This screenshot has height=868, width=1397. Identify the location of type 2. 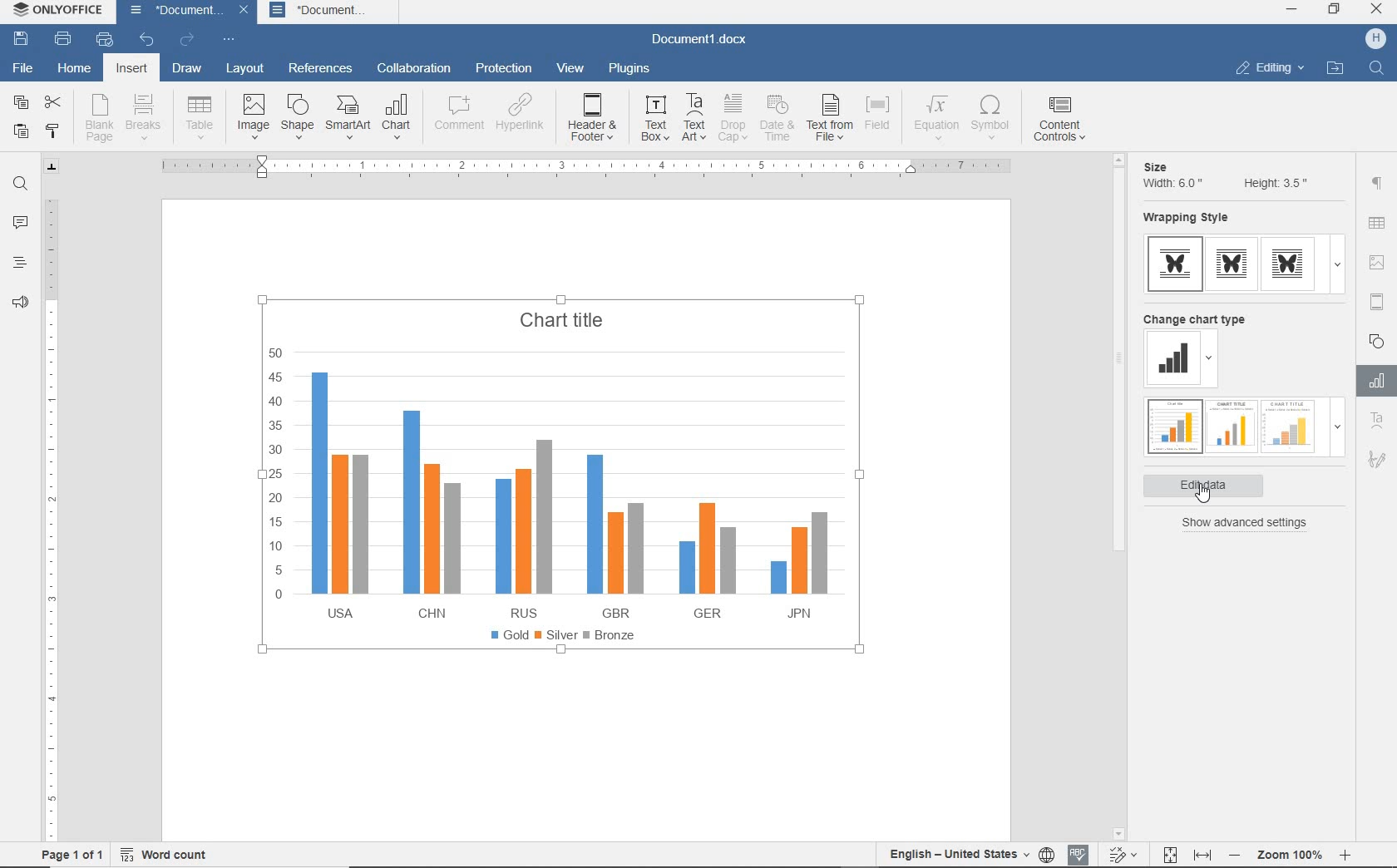
(1232, 264).